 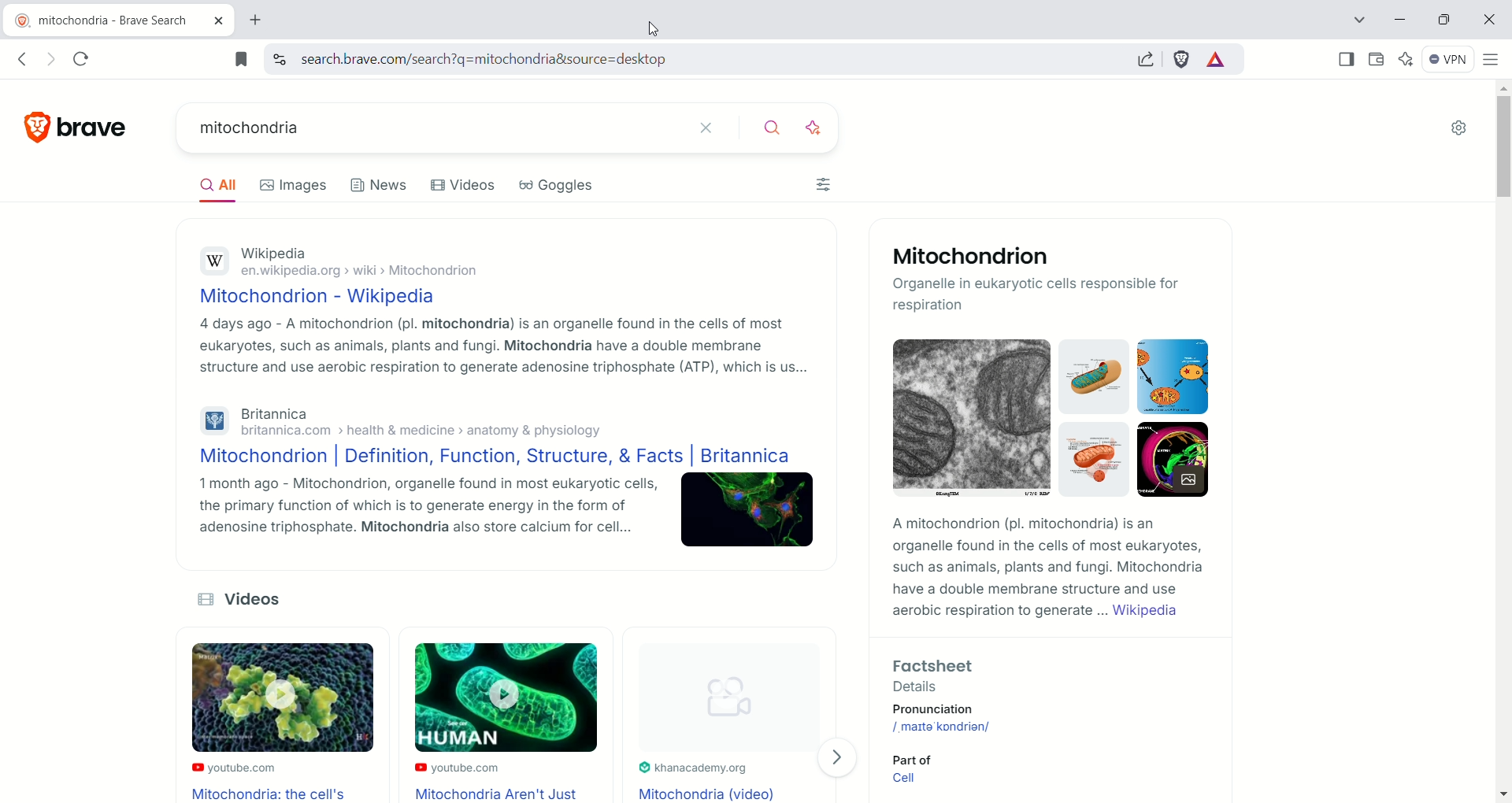 I want to click on Mitochondrion - Wikipedia, so click(x=316, y=294).